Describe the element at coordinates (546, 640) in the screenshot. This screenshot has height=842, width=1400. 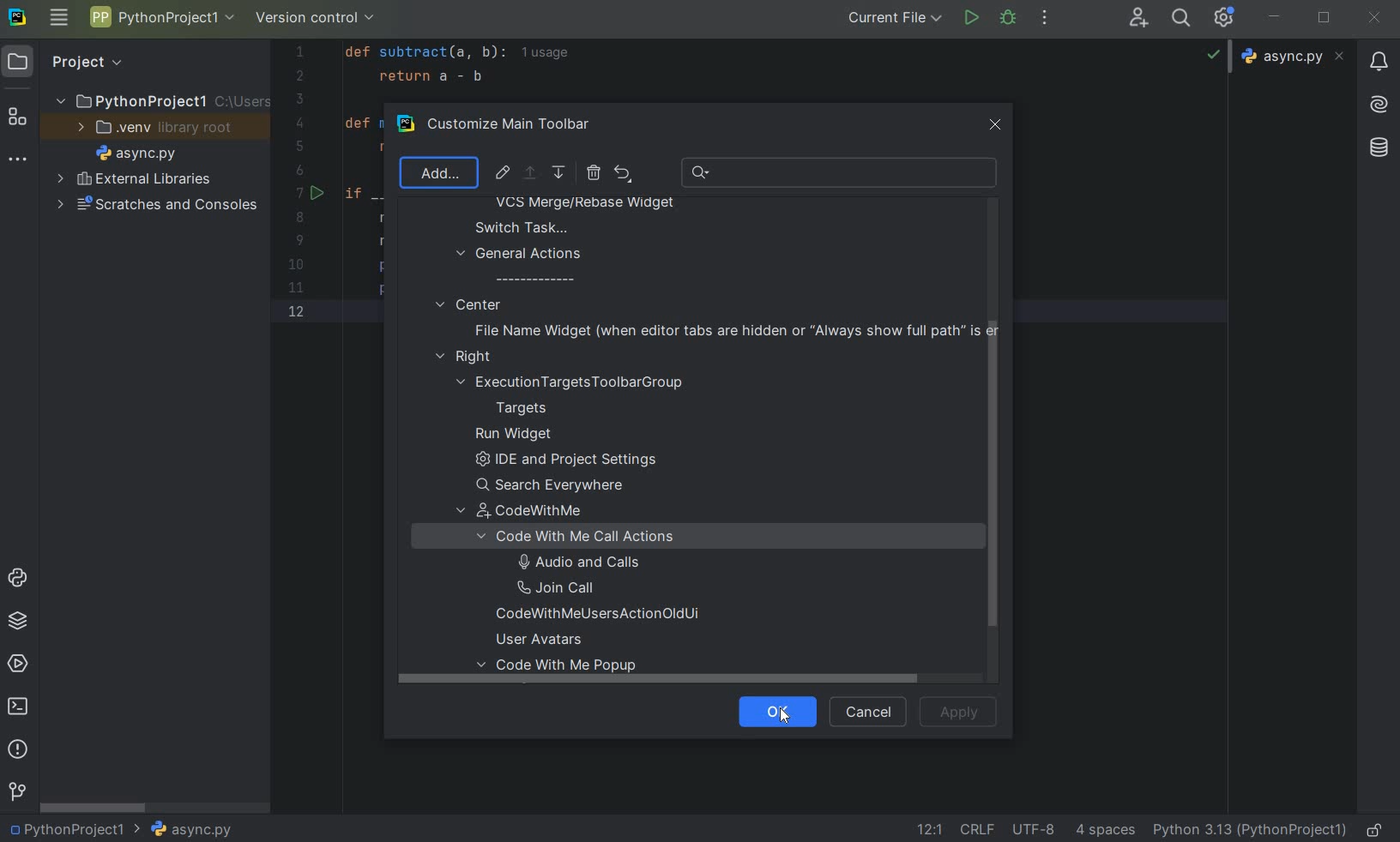
I see `user avatars` at that location.